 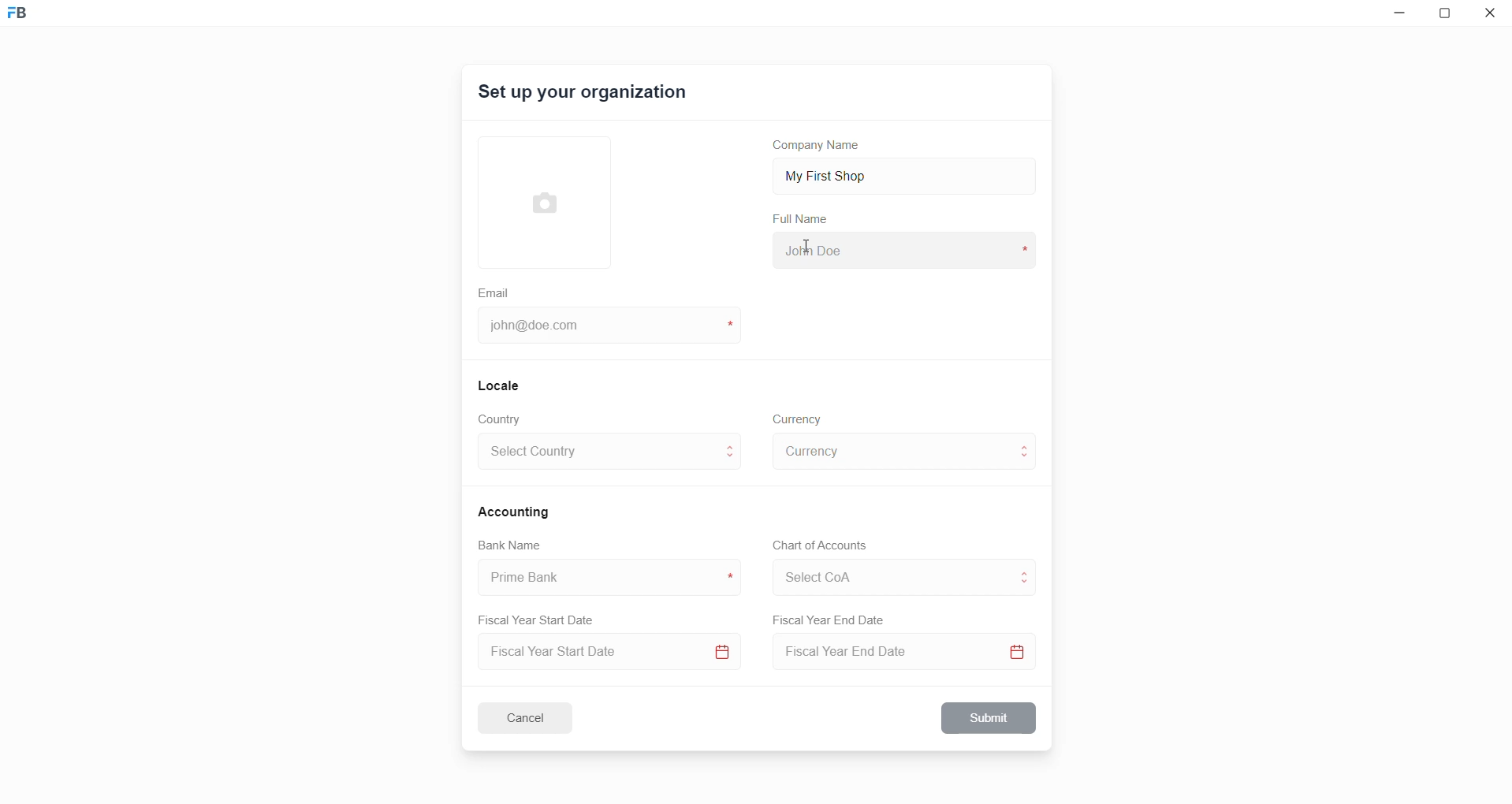 I want to click on Currency, so click(x=799, y=418).